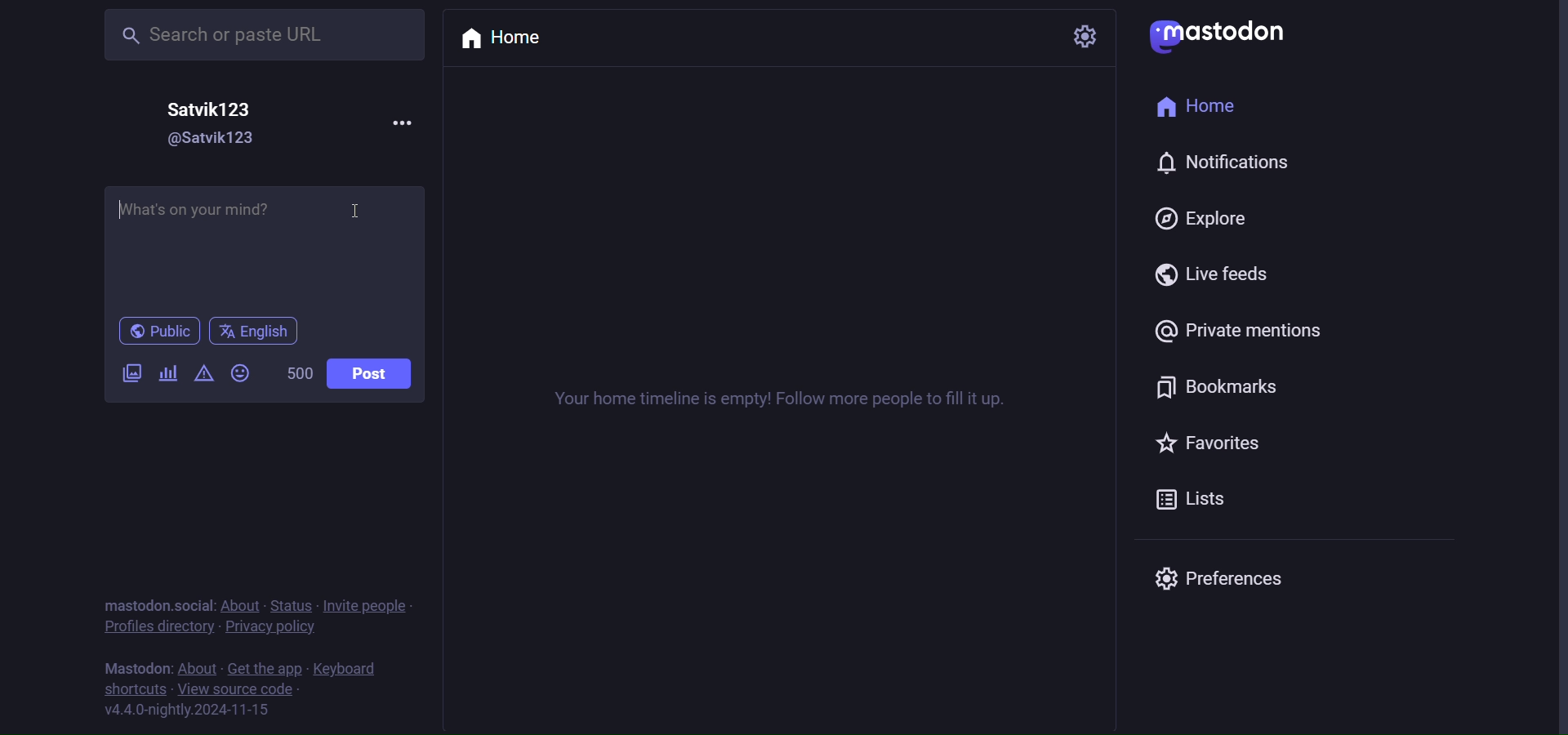 The image size is (1568, 735). Describe the element at coordinates (795, 400) in the screenshot. I see `instruction` at that location.